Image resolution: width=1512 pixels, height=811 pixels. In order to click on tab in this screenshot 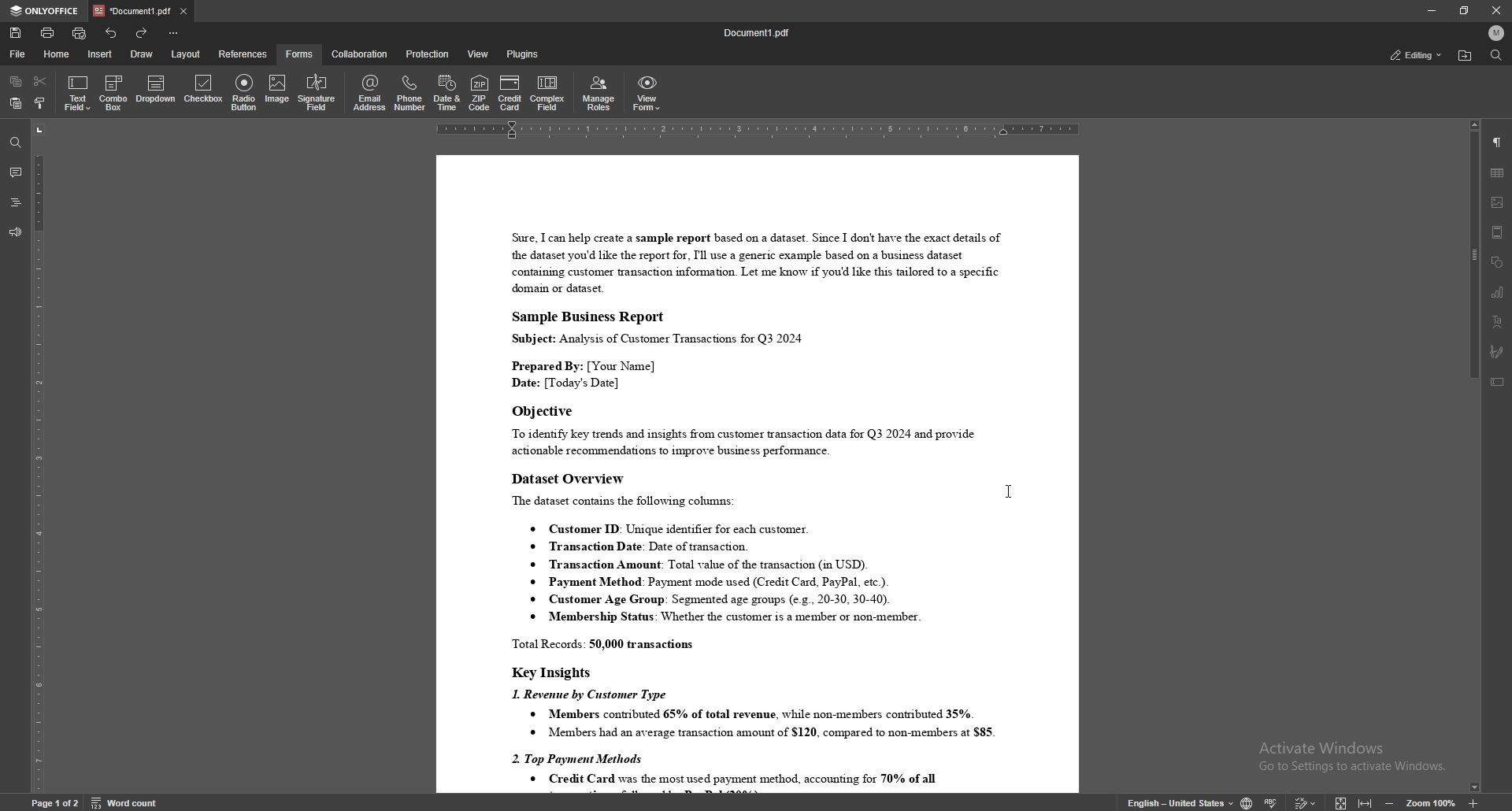, I will do `click(133, 10)`.